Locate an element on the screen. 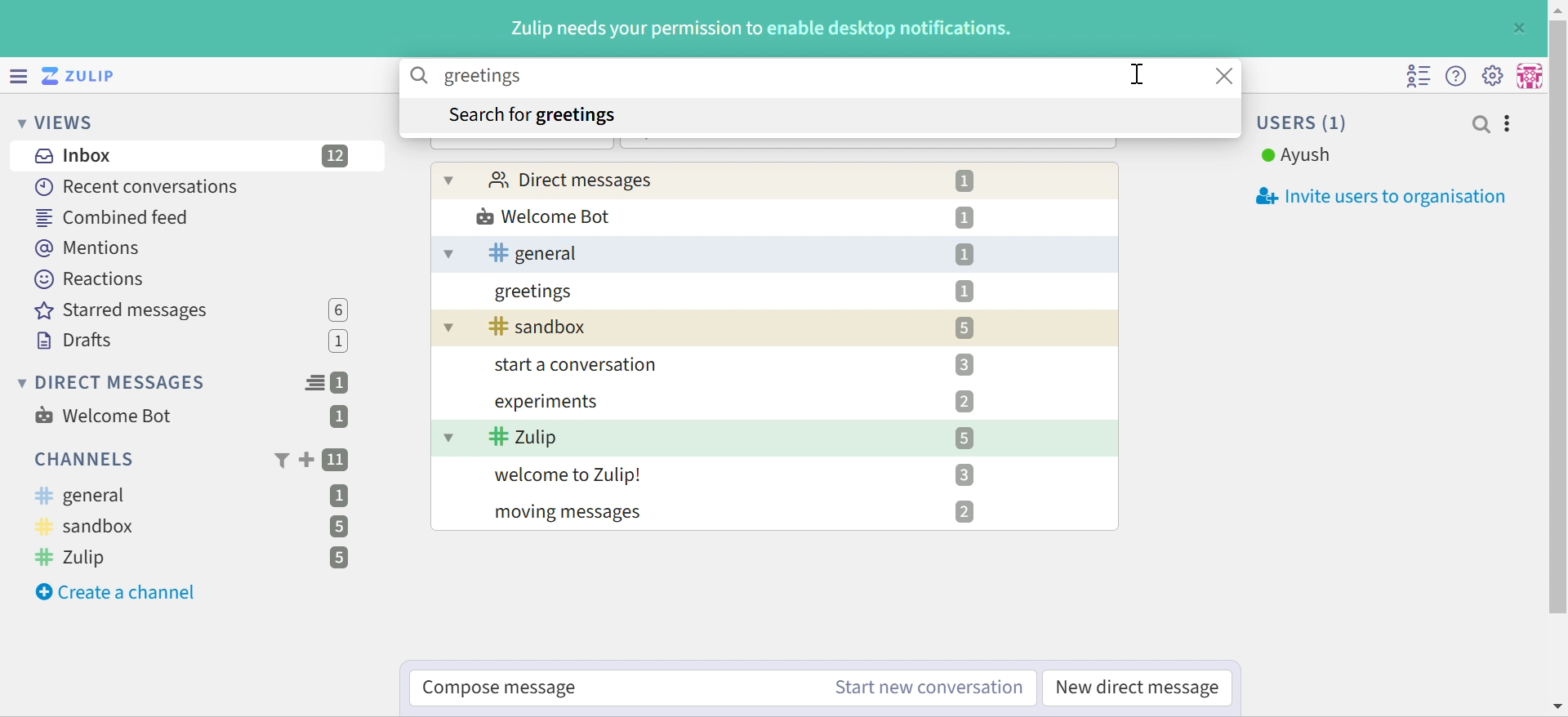  Add channels is located at coordinates (305, 460).